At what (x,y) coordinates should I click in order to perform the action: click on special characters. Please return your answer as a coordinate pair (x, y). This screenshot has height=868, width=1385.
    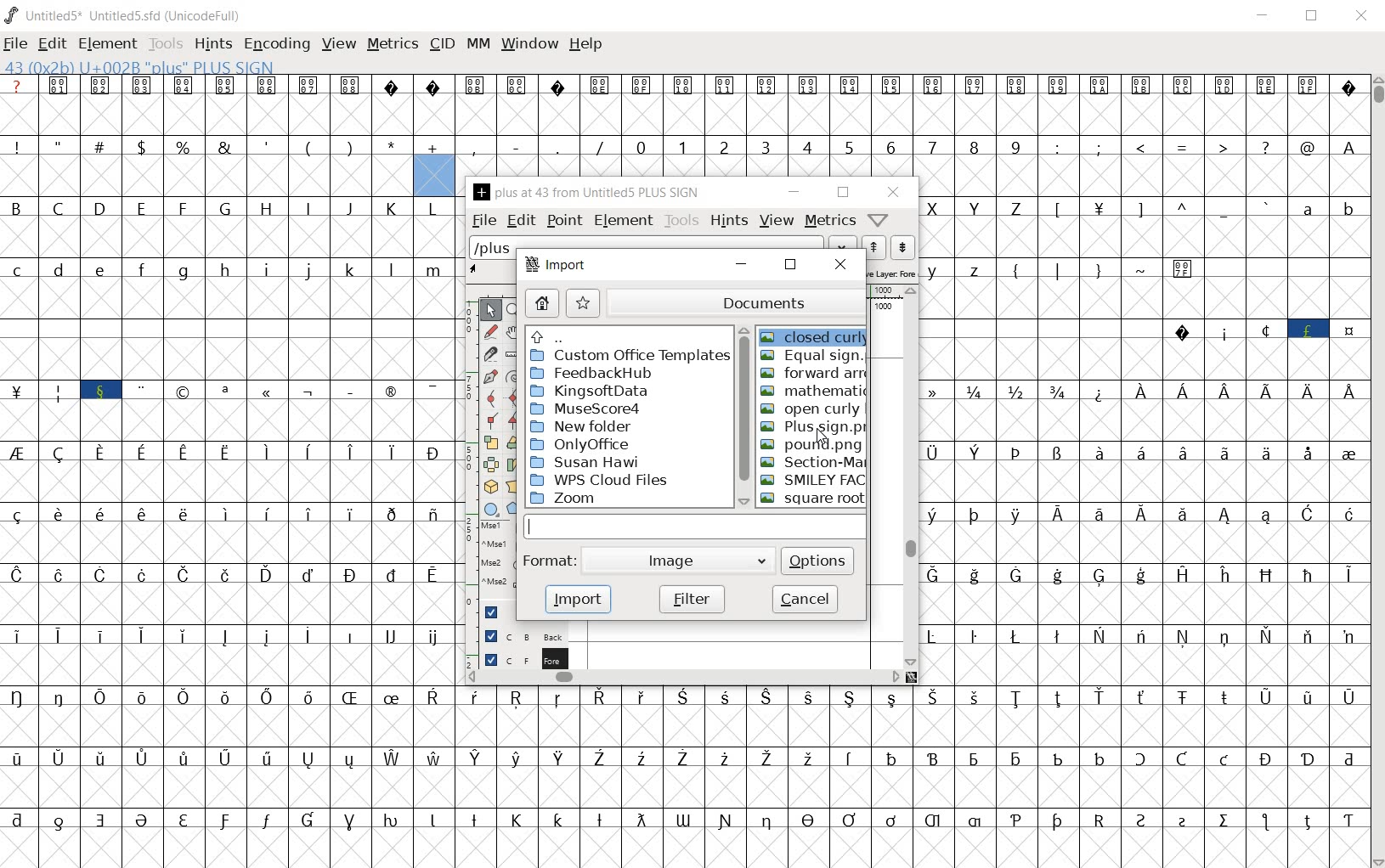
    Looking at the image, I should click on (19, 563).